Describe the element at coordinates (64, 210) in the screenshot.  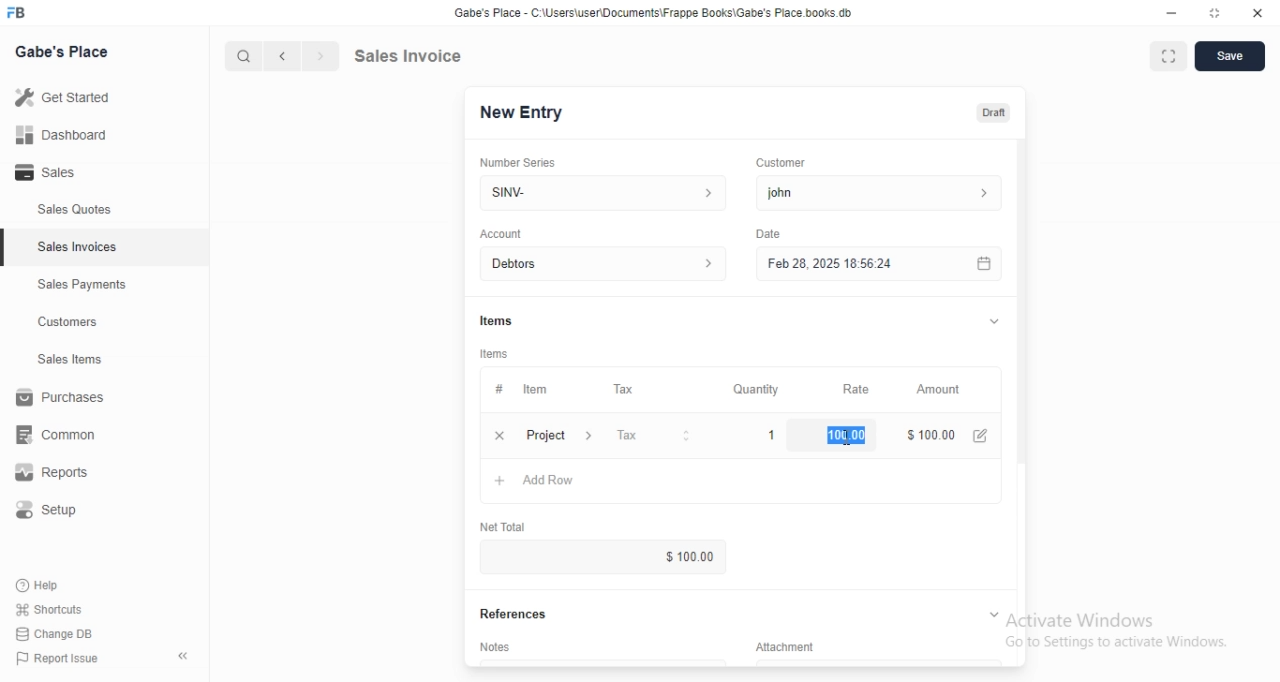
I see `Sales Quotes` at that location.